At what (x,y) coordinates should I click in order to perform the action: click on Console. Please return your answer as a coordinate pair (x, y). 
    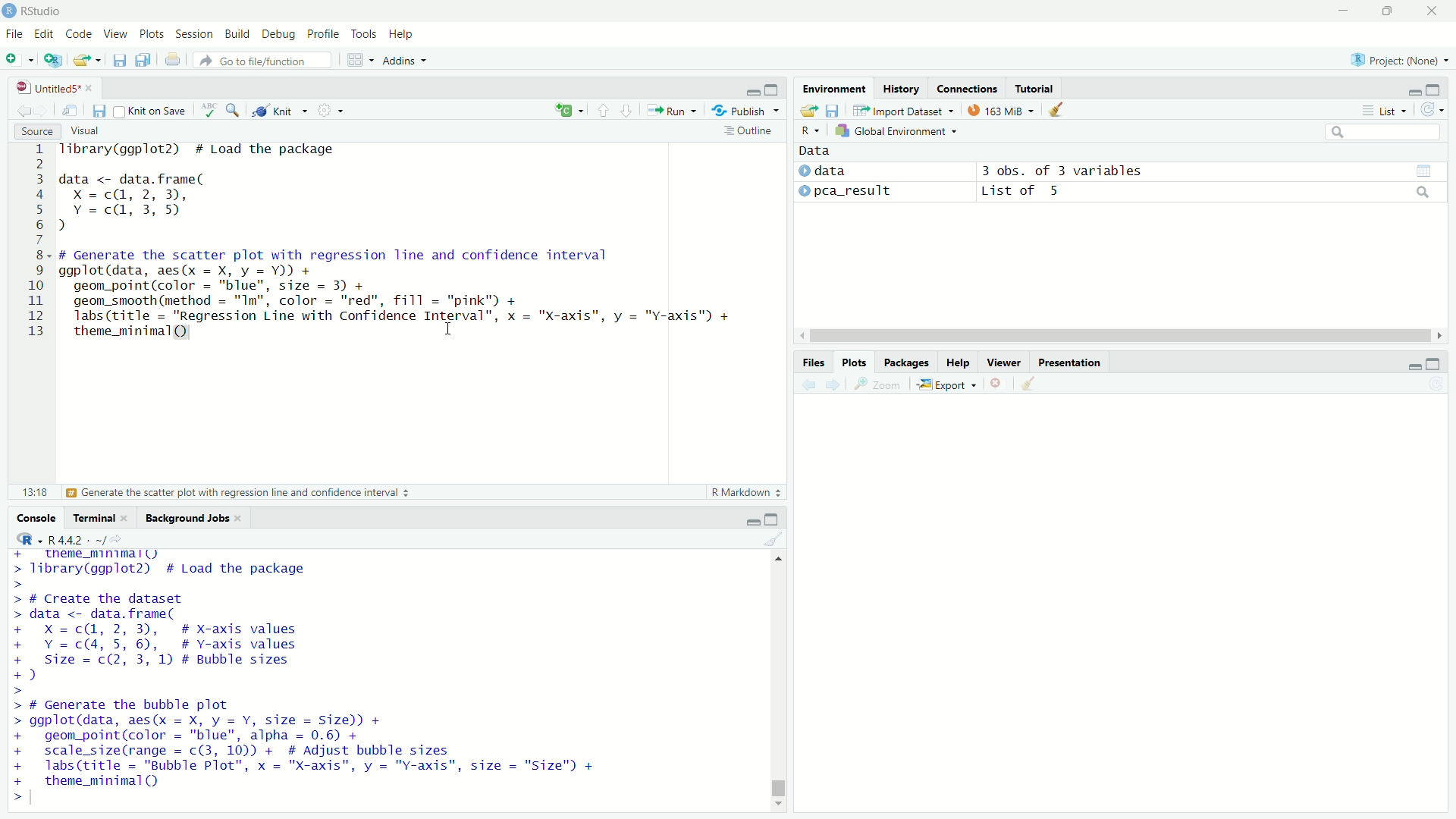
    Looking at the image, I should click on (35, 516).